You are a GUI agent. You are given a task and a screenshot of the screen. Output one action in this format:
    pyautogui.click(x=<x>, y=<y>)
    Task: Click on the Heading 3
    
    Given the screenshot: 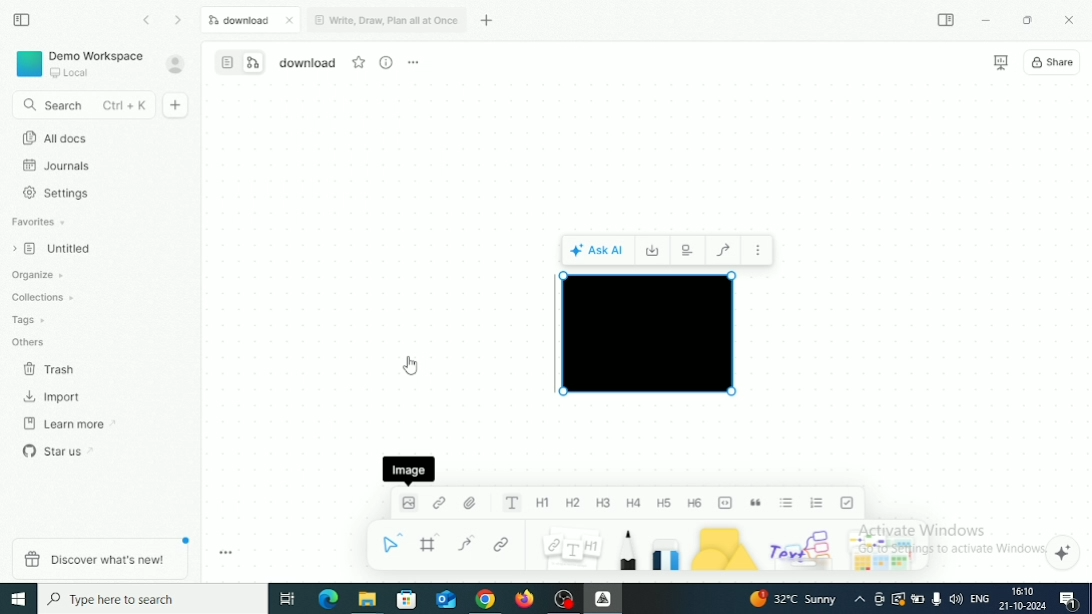 What is the action you would take?
    pyautogui.click(x=604, y=503)
    